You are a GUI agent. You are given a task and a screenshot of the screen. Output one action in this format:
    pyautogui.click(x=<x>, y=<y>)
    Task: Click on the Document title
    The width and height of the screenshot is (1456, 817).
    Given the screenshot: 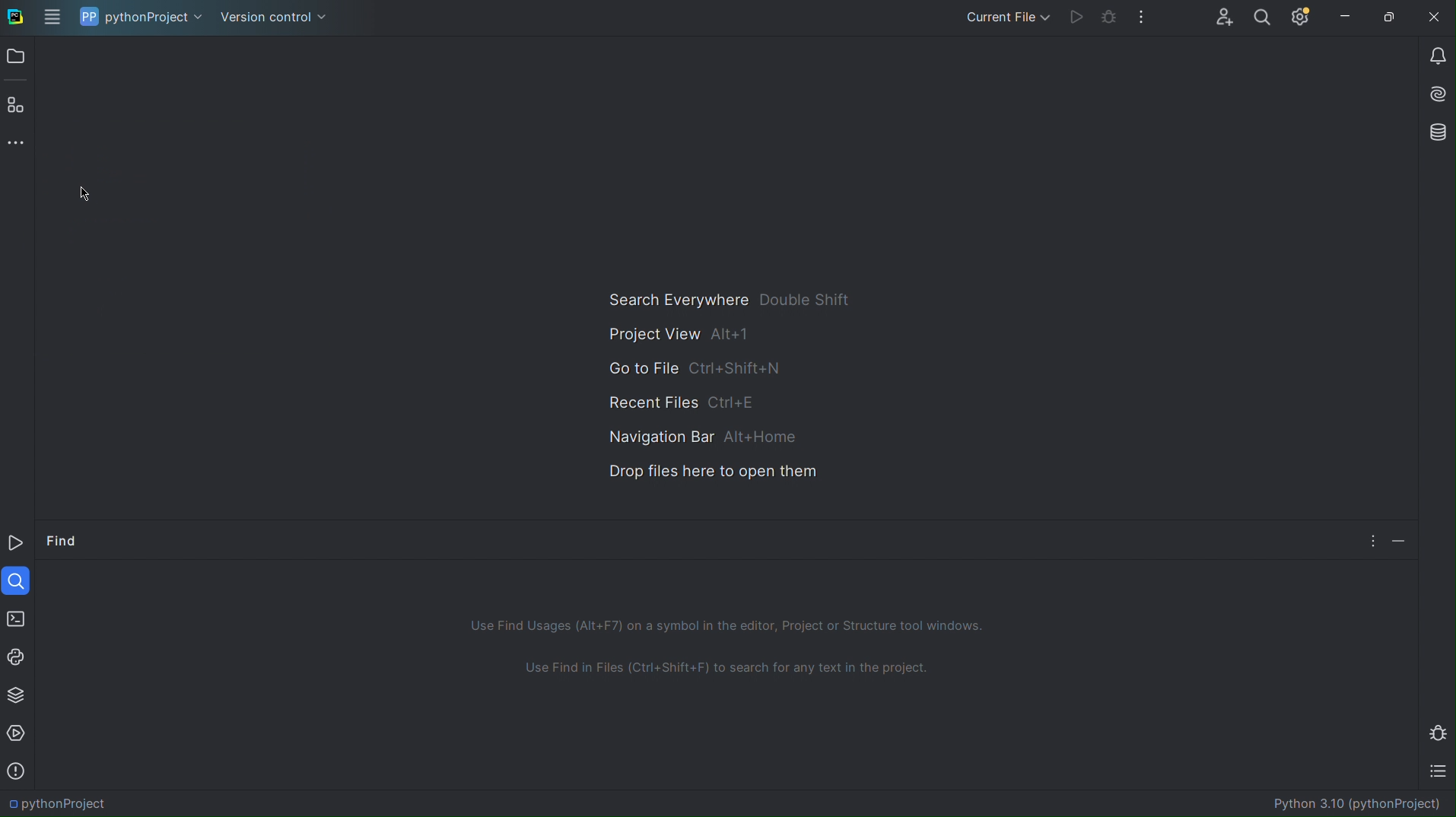 What is the action you would take?
    pyautogui.click(x=1342, y=805)
    